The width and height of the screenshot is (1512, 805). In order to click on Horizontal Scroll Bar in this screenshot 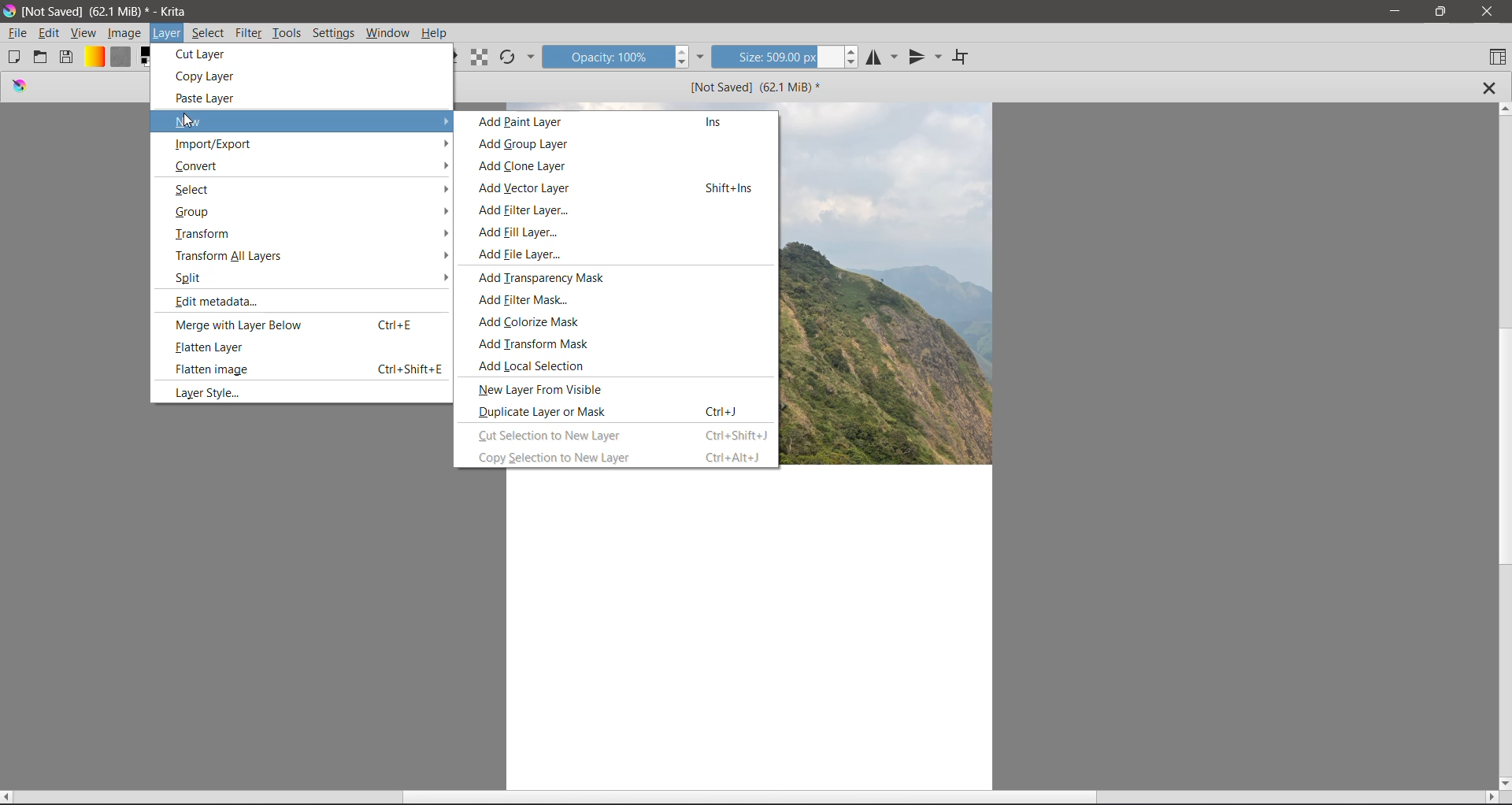, I will do `click(750, 798)`.